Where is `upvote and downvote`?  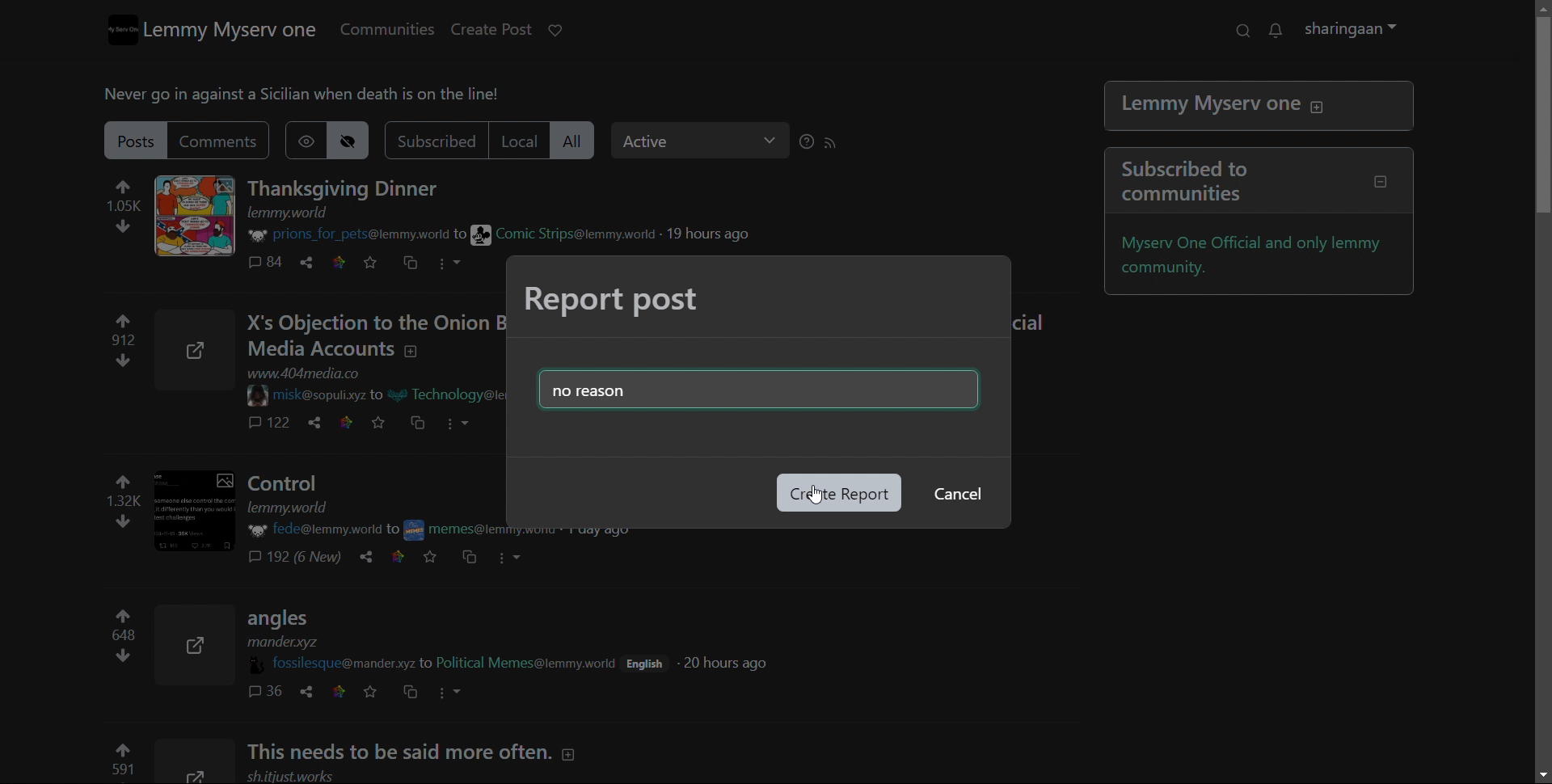
upvote and downvote is located at coordinates (119, 499).